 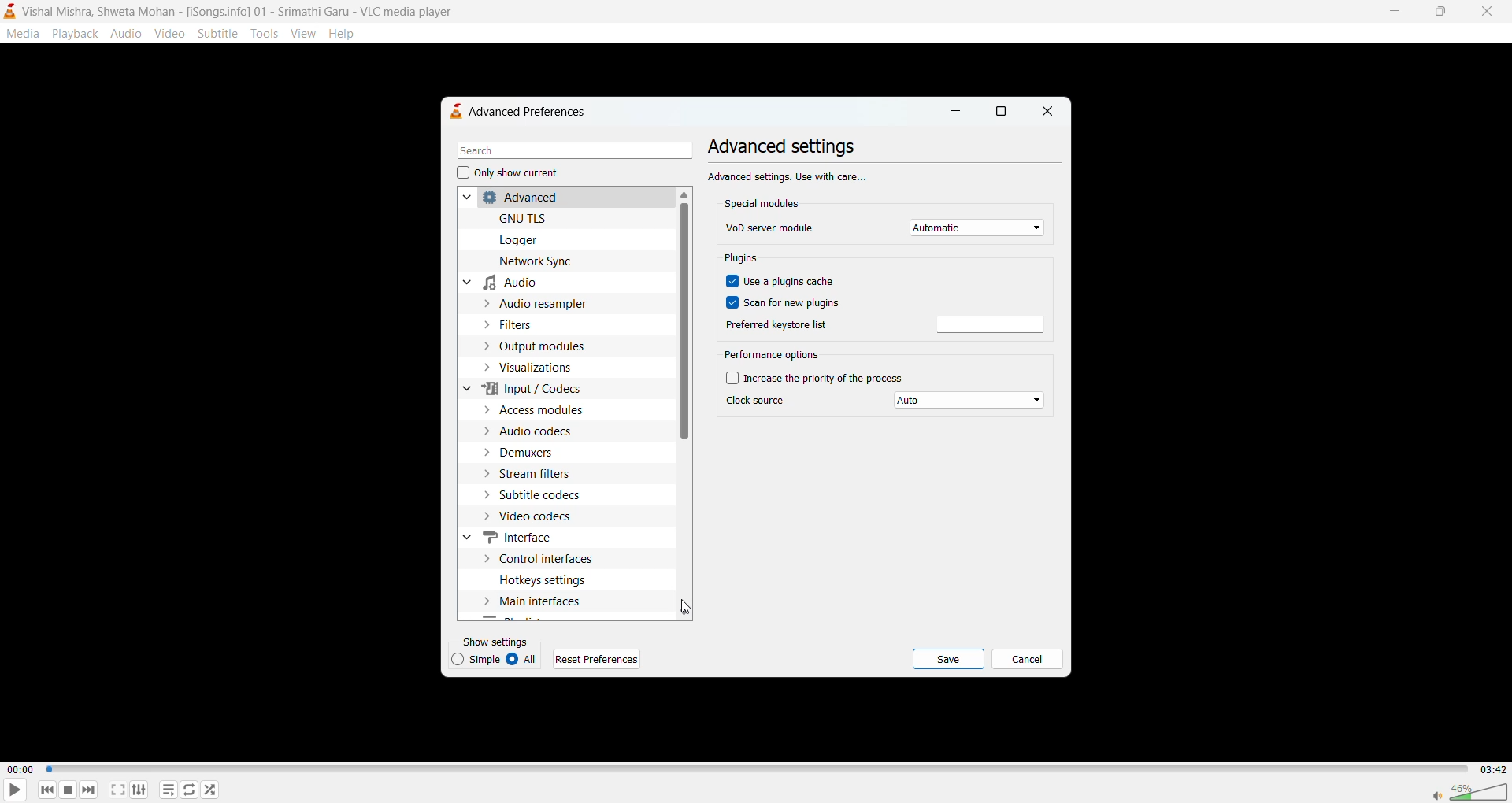 What do you see at coordinates (520, 240) in the screenshot?
I see `logger` at bounding box center [520, 240].